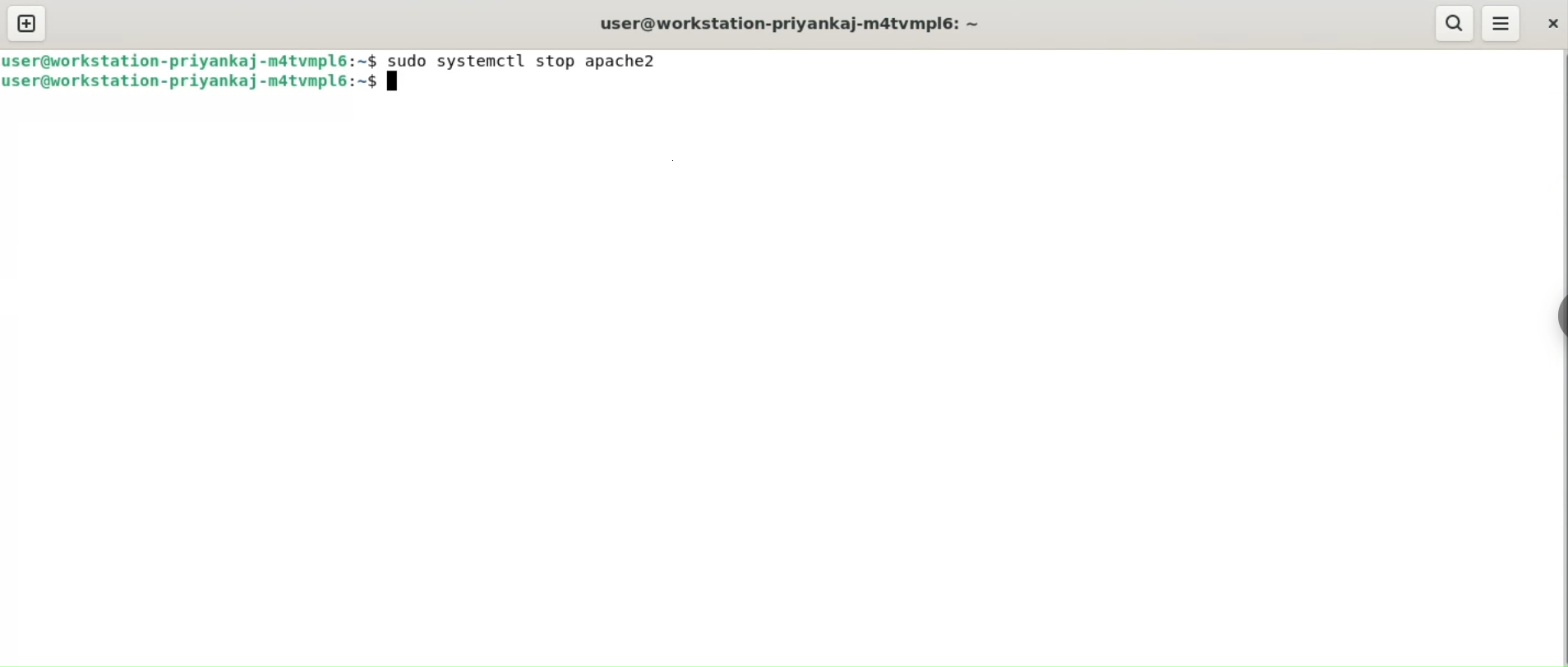 The image size is (1568, 667). What do you see at coordinates (1502, 25) in the screenshot?
I see `menu` at bounding box center [1502, 25].